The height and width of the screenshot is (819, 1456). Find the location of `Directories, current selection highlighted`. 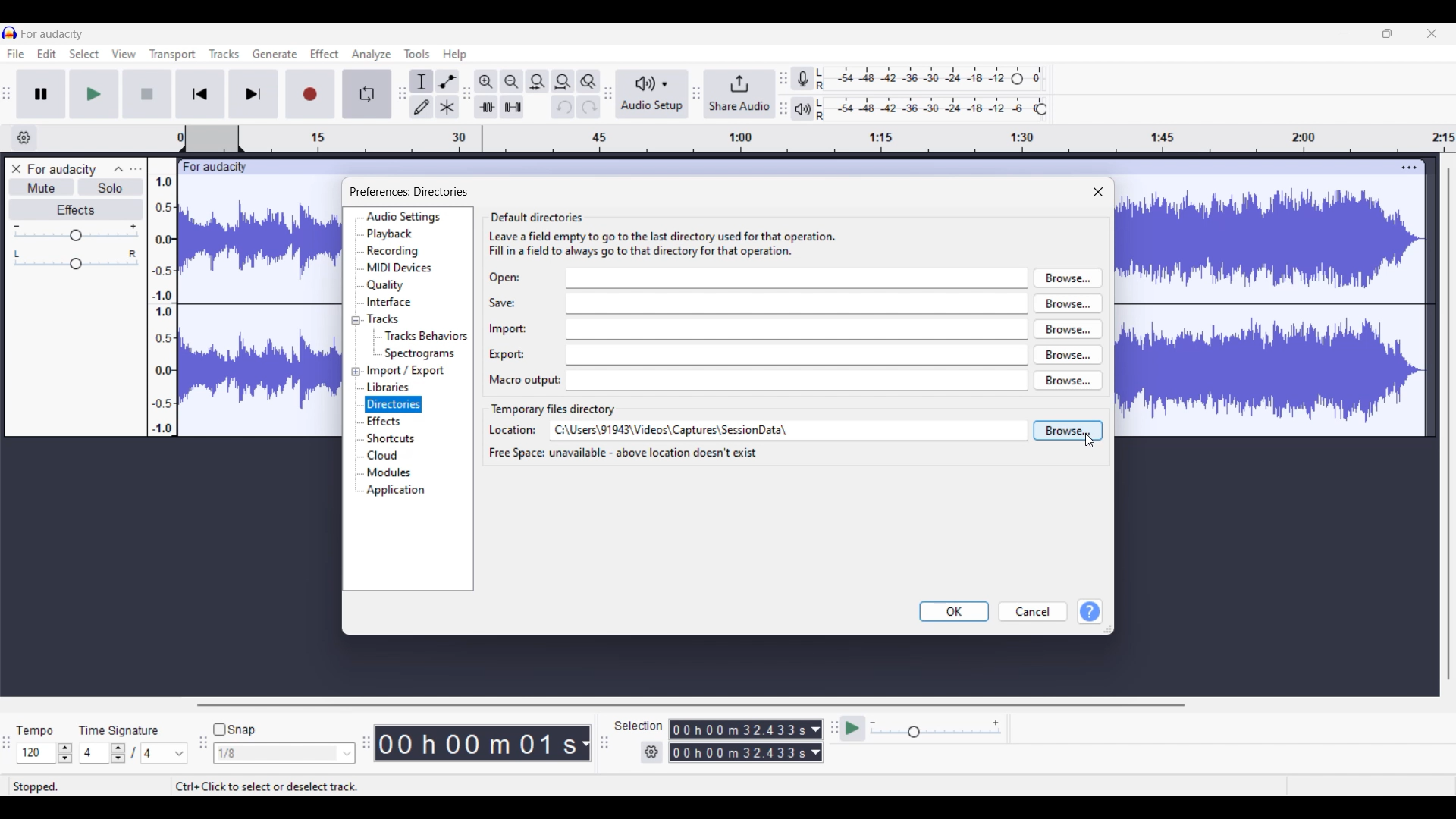

Directories, current selection highlighted is located at coordinates (394, 405).